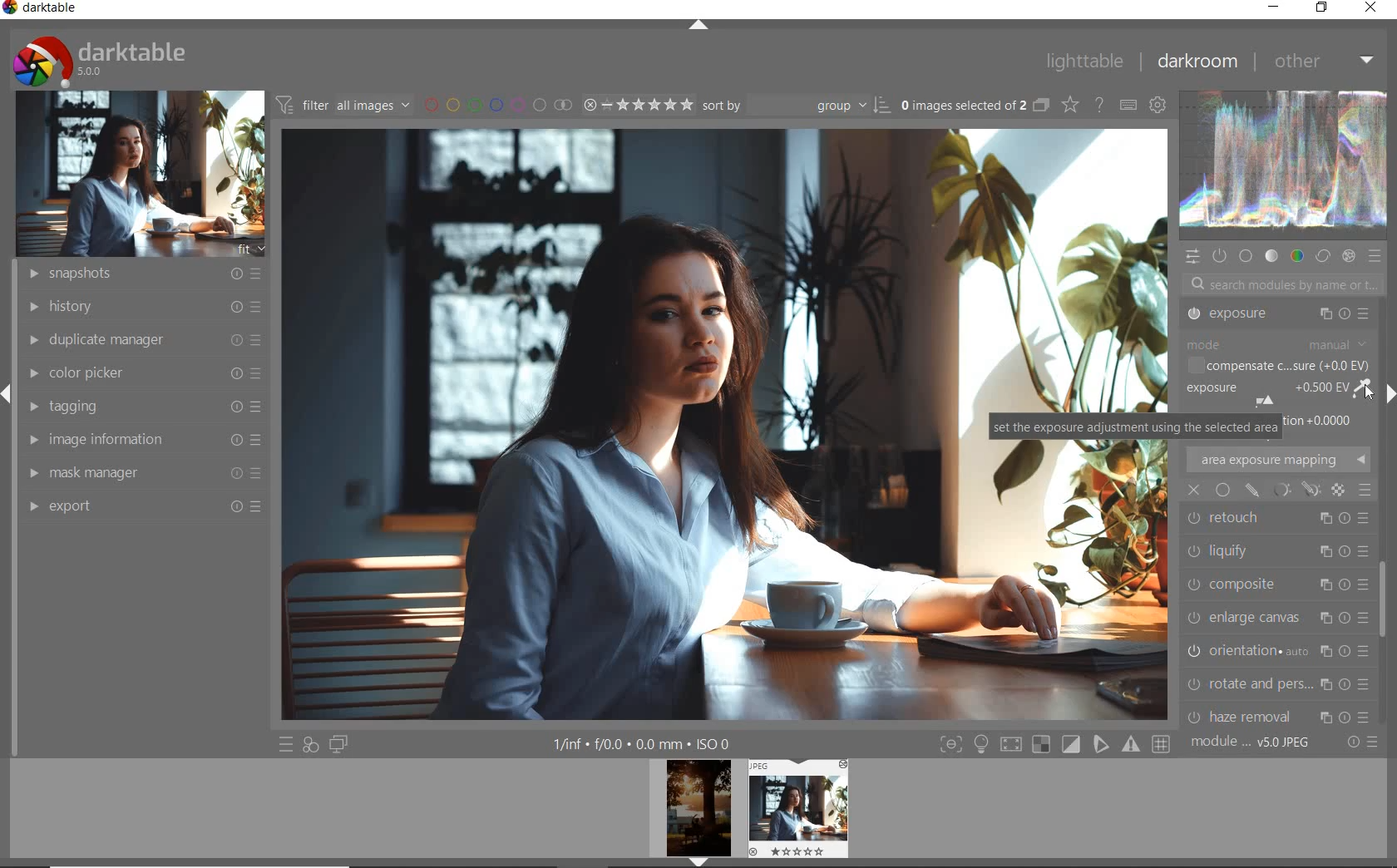  Describe the element at coordinates (1281, 547) in the screenshot. I see `ORIENTATION` at that location.